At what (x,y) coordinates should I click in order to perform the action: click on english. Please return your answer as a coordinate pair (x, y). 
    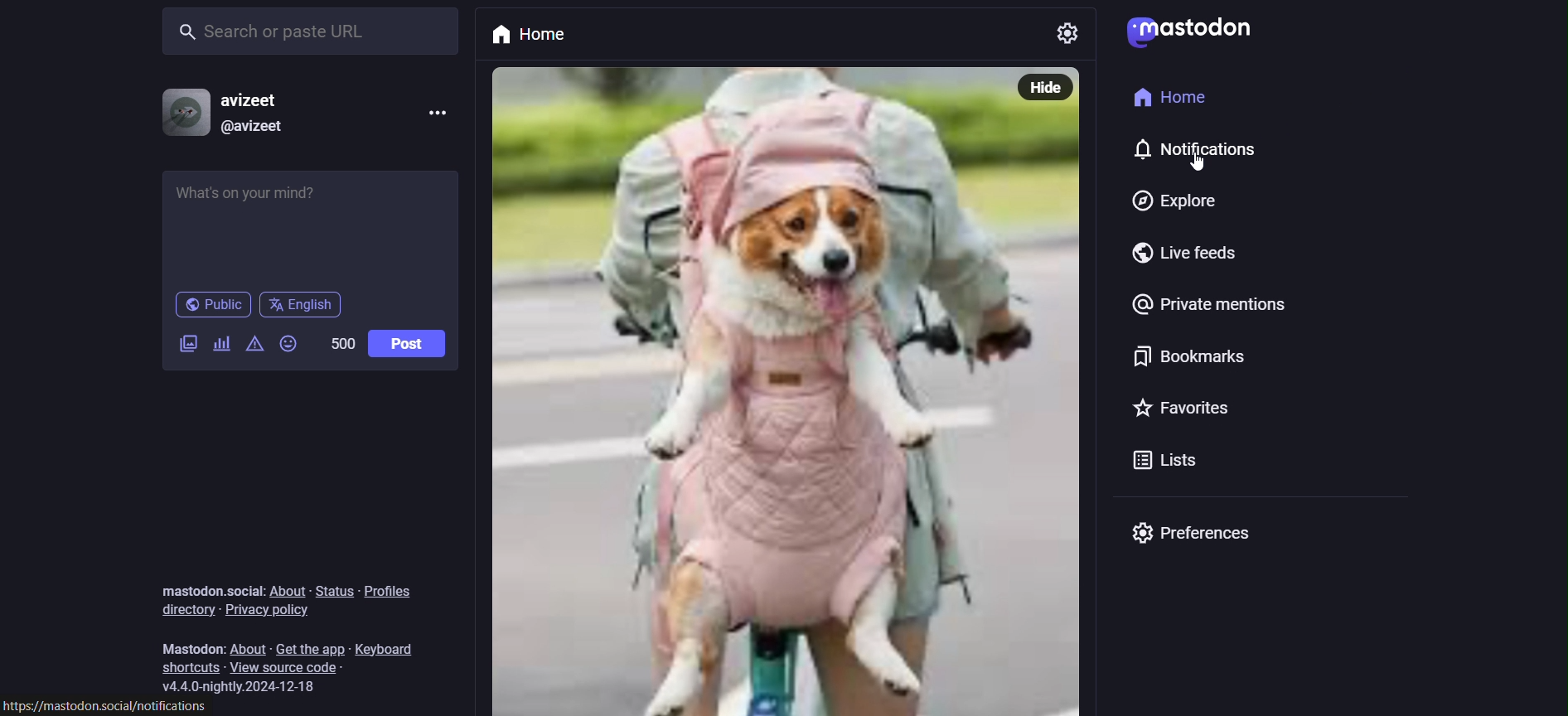
    Looking at the image, I should click on (302, 305).